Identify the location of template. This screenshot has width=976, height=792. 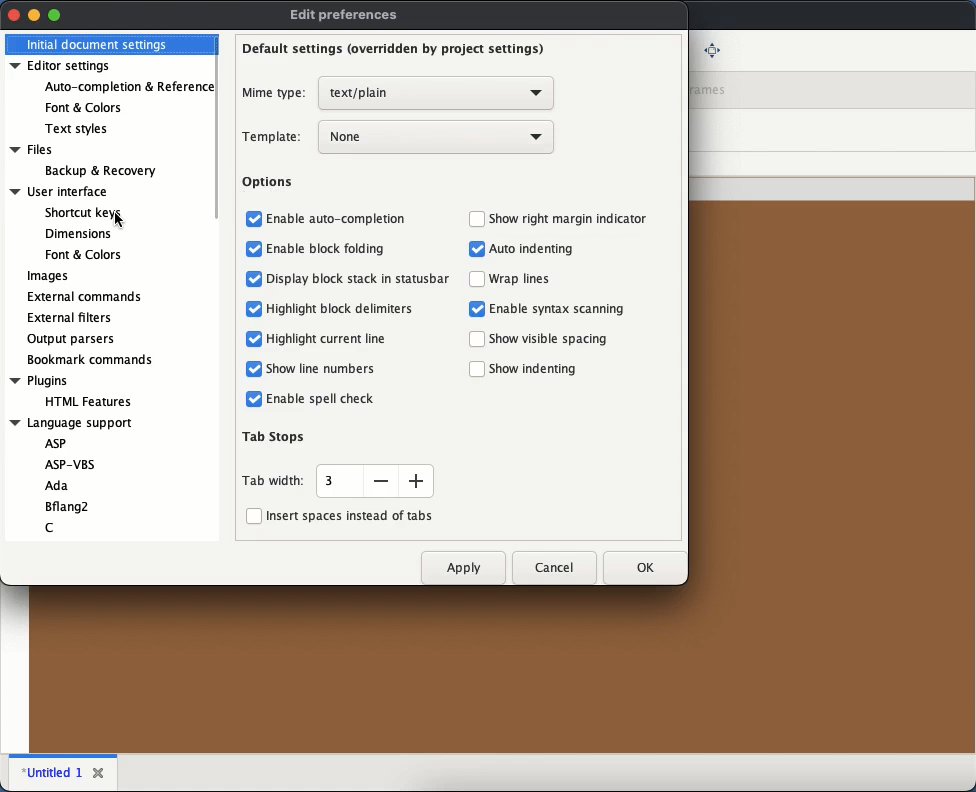
(273, 136).